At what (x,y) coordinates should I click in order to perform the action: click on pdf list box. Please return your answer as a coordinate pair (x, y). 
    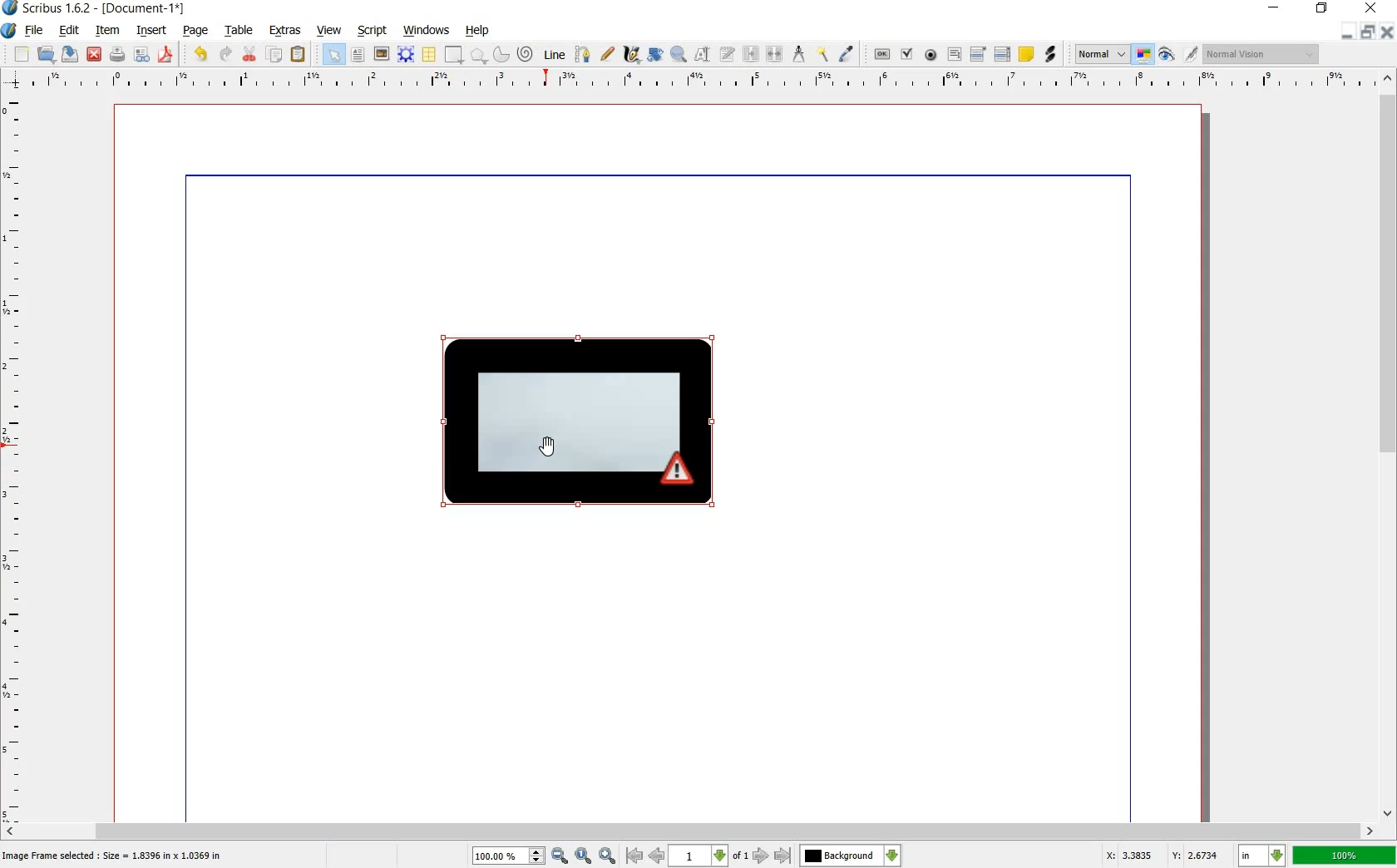
    Looking at the image, I should click on (1004, 55).